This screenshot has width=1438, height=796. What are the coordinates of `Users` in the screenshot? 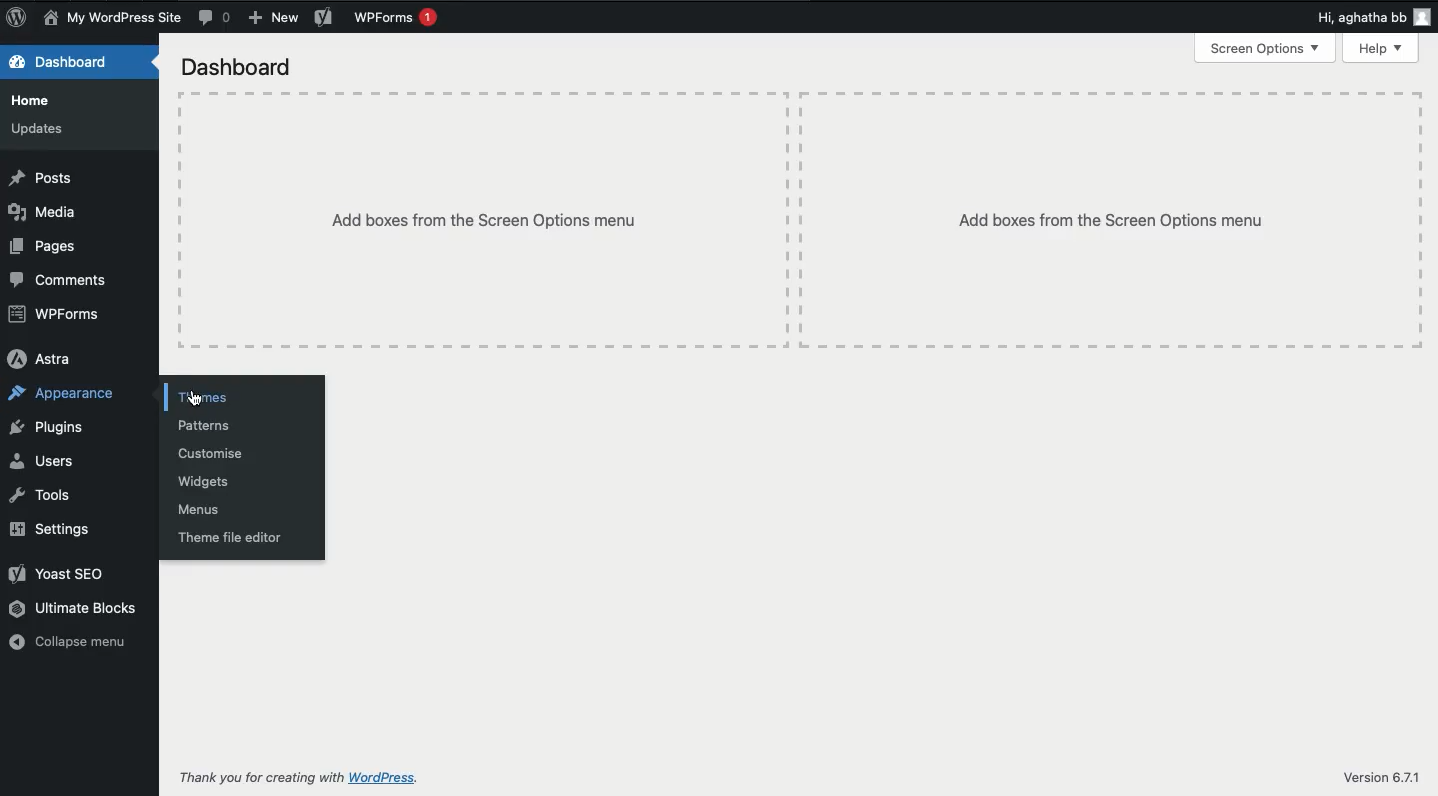 It's located at (45, 460).